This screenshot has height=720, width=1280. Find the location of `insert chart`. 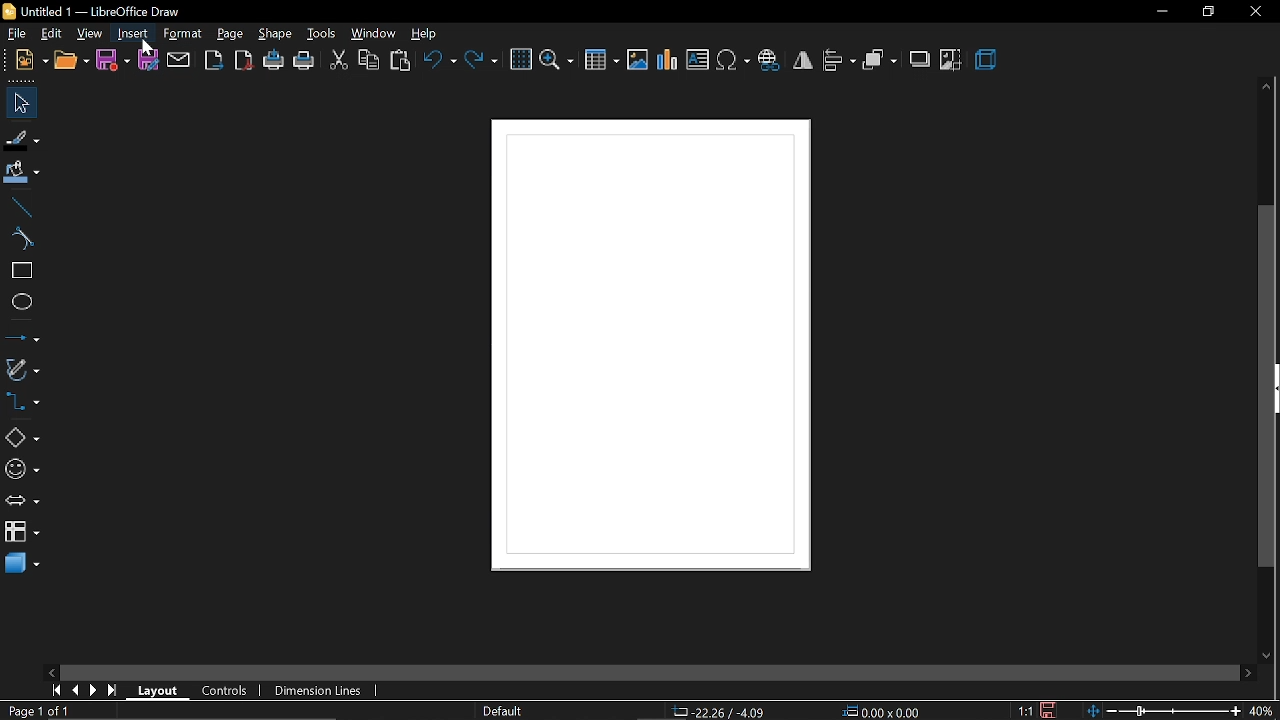

insert chart is located at coordinates (668, 63).